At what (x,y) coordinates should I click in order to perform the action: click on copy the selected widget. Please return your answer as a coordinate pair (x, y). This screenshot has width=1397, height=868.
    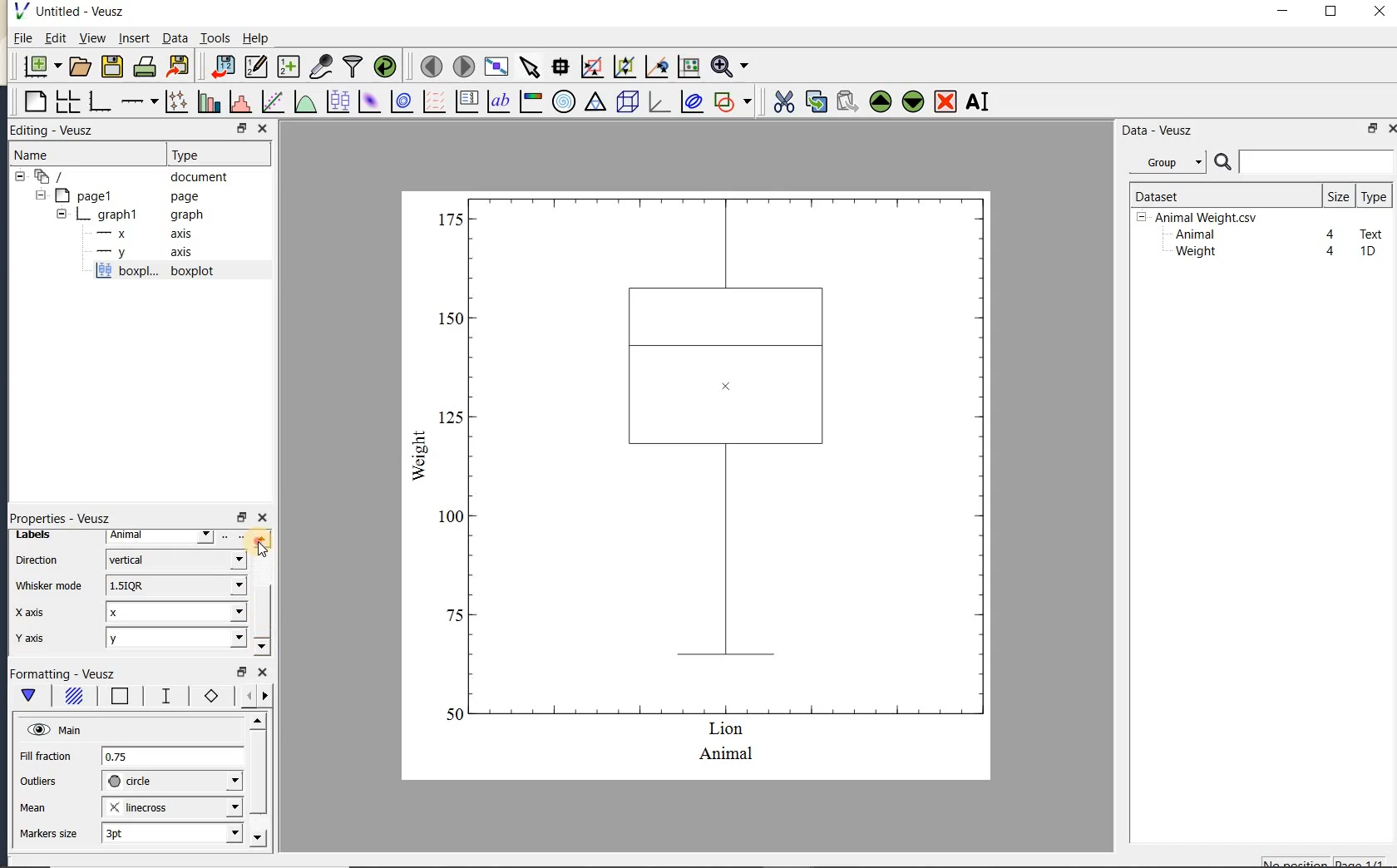
    Looking at the image, I should click on (814, 101).